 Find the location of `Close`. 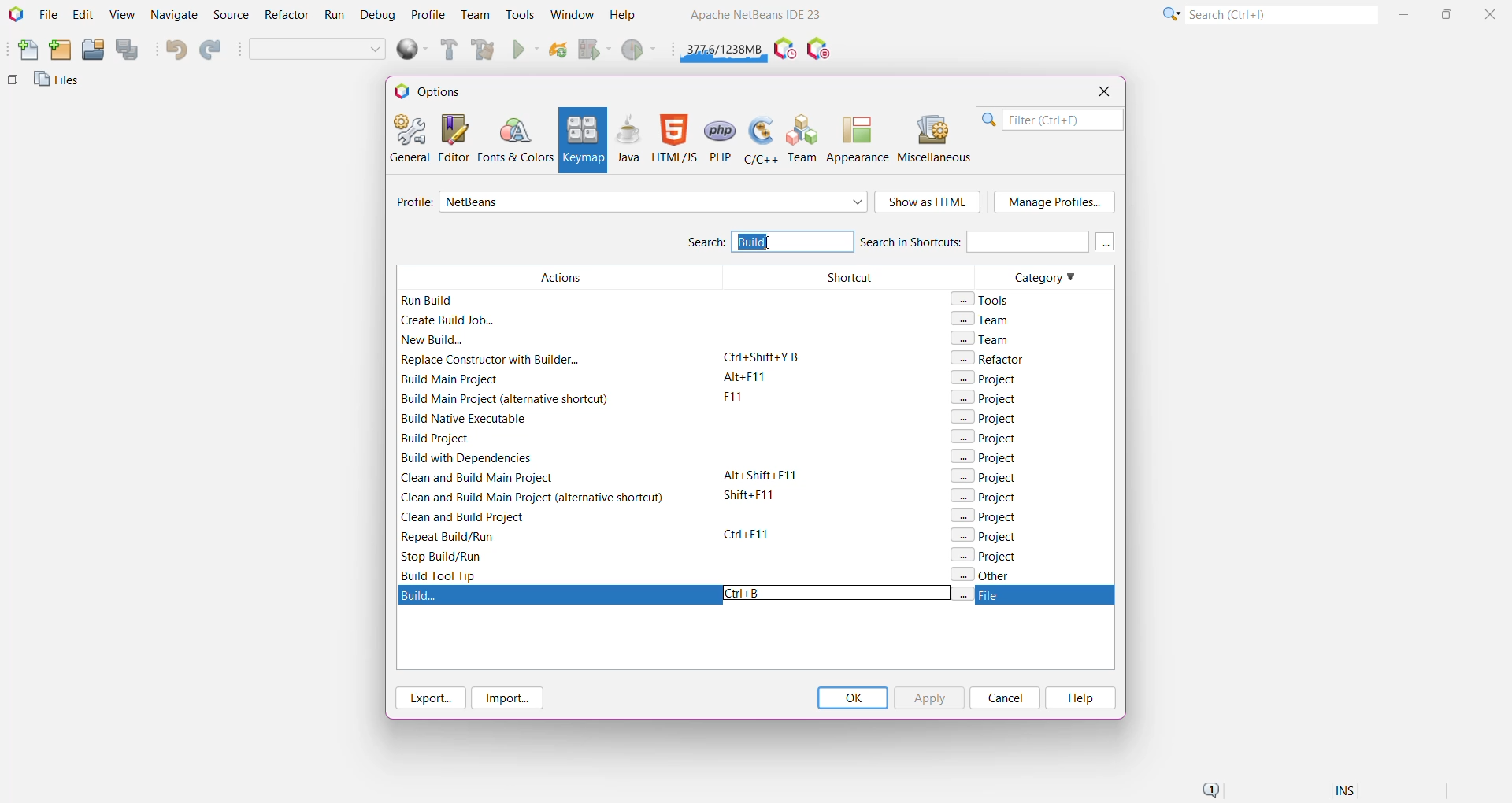

Close is located at coordinates (1492, 13).